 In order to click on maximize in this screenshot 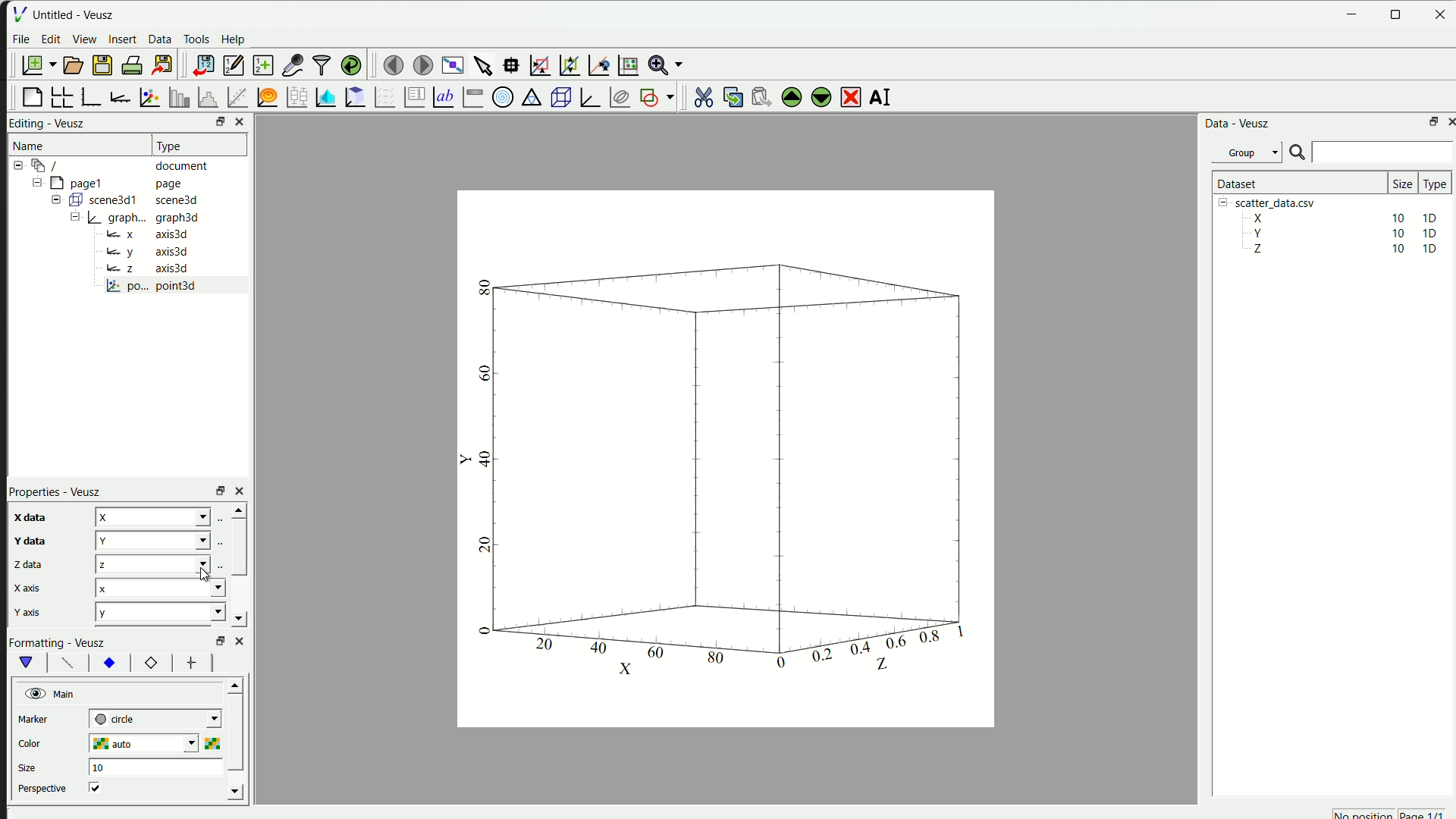, I will do `click(1430, 120)`.